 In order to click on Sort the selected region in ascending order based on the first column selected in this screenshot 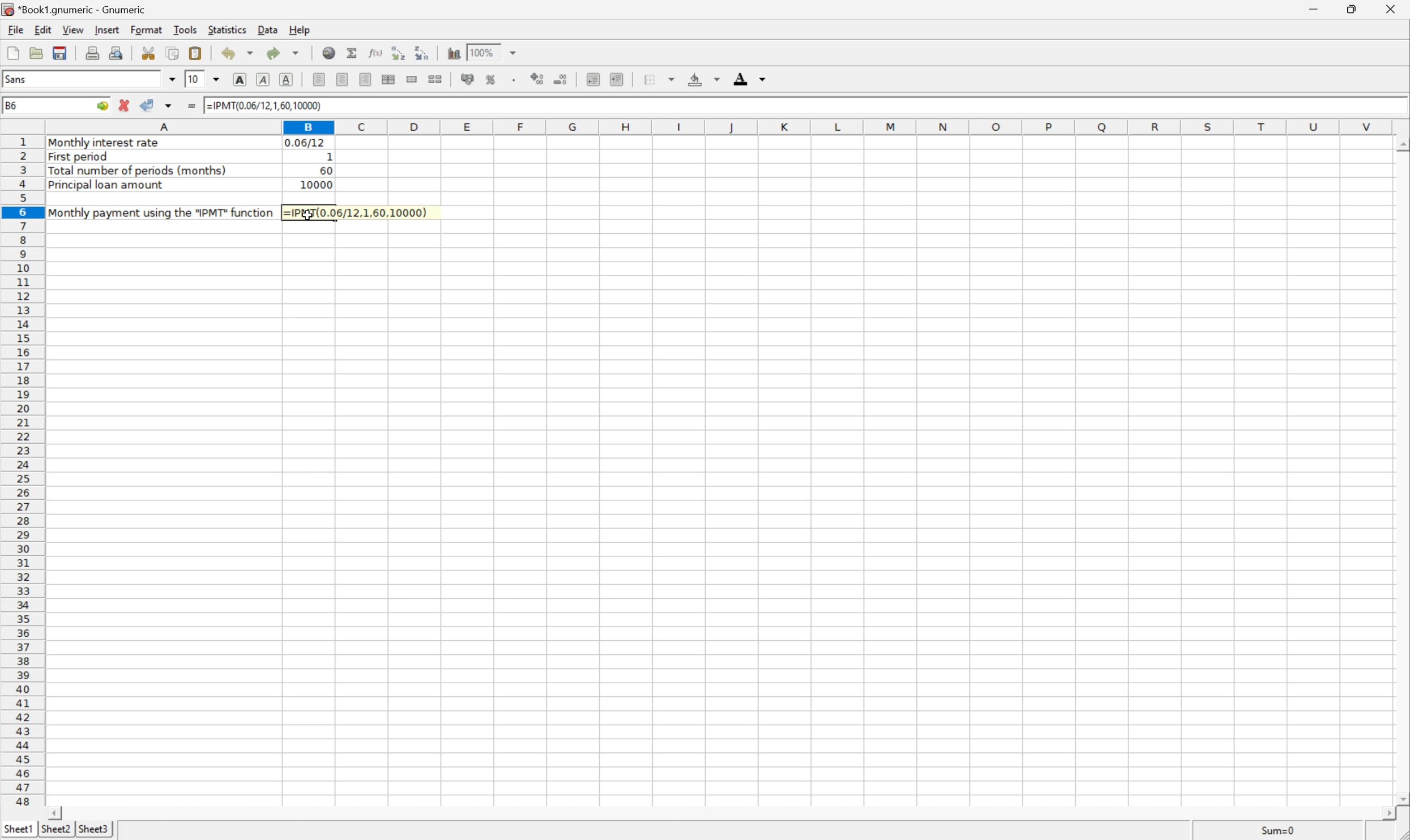, I will do `click(397, 53)`.